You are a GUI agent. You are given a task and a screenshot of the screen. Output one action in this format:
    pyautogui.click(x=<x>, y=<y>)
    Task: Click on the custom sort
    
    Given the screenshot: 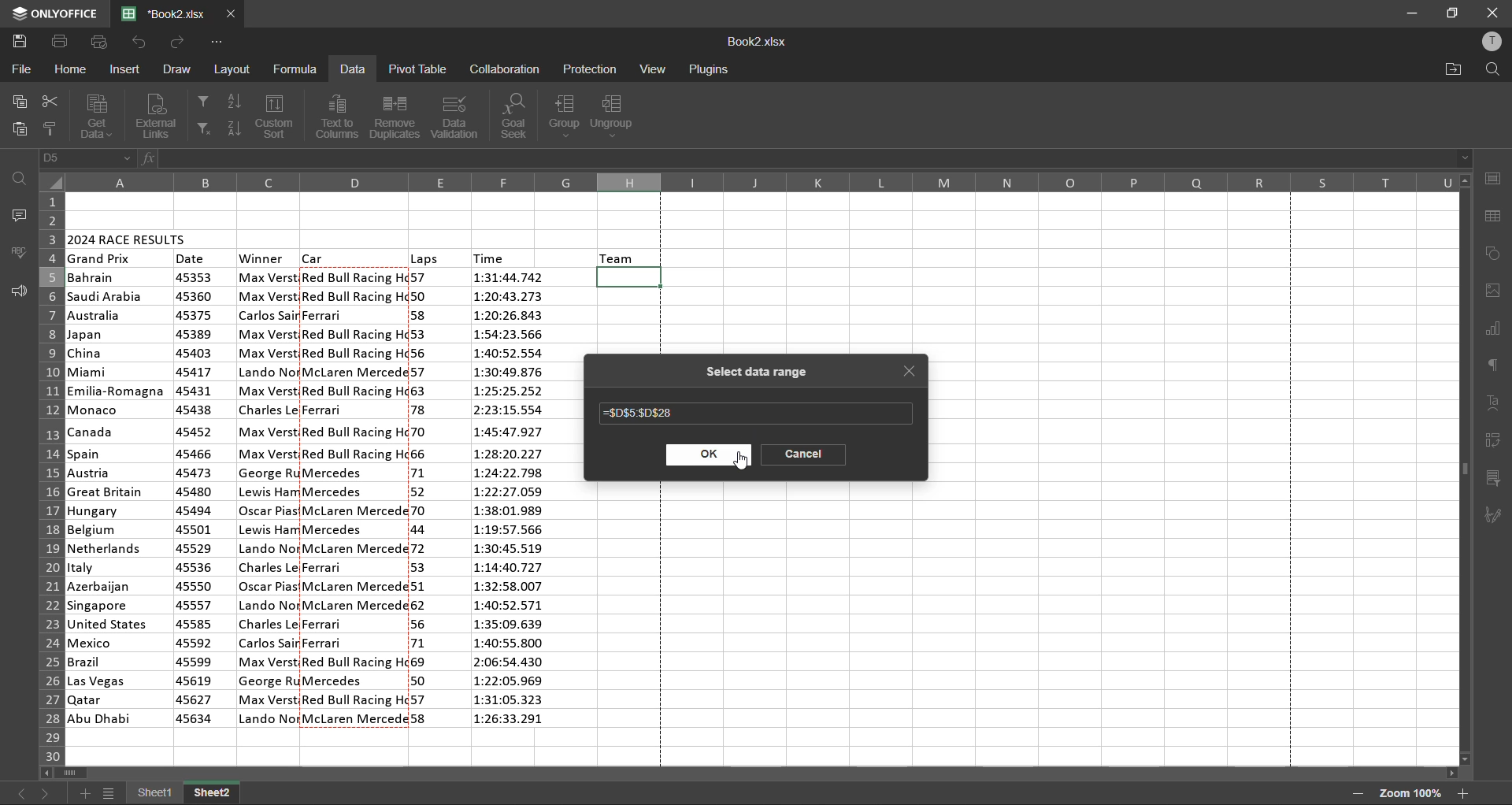 What is the action you would take?
    pyautogui.click(x=278, y=117)
    